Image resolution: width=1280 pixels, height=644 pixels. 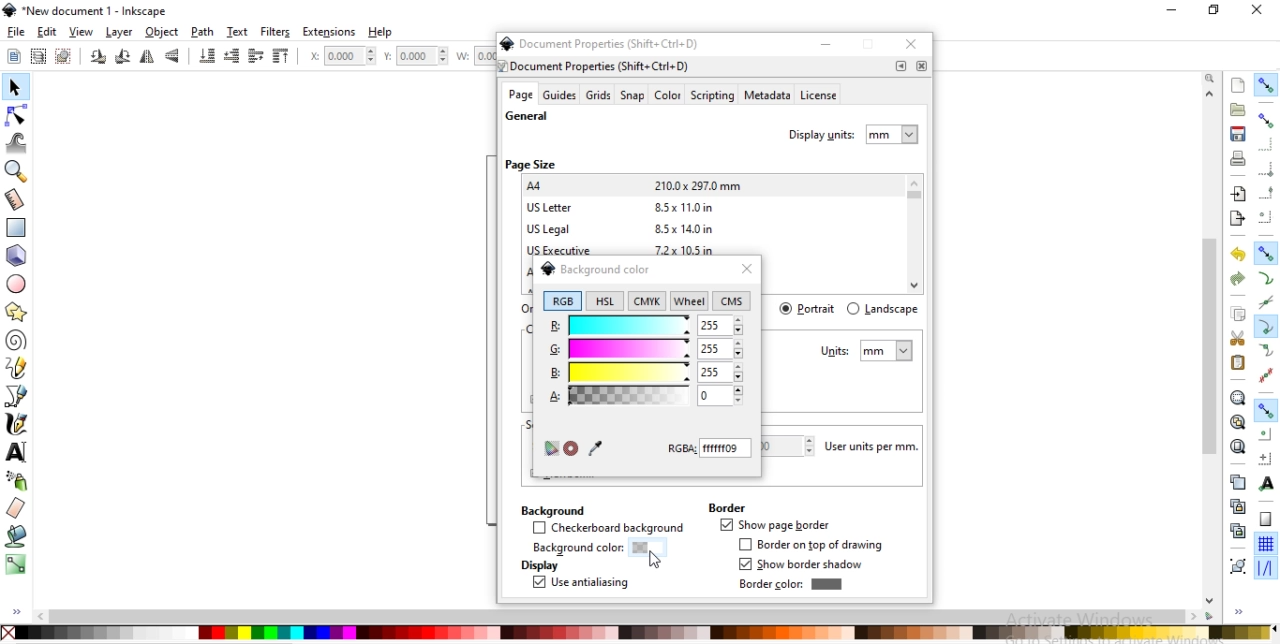 I want to click on tweak objects by sculpting or painting, so click(x=18, y=142).